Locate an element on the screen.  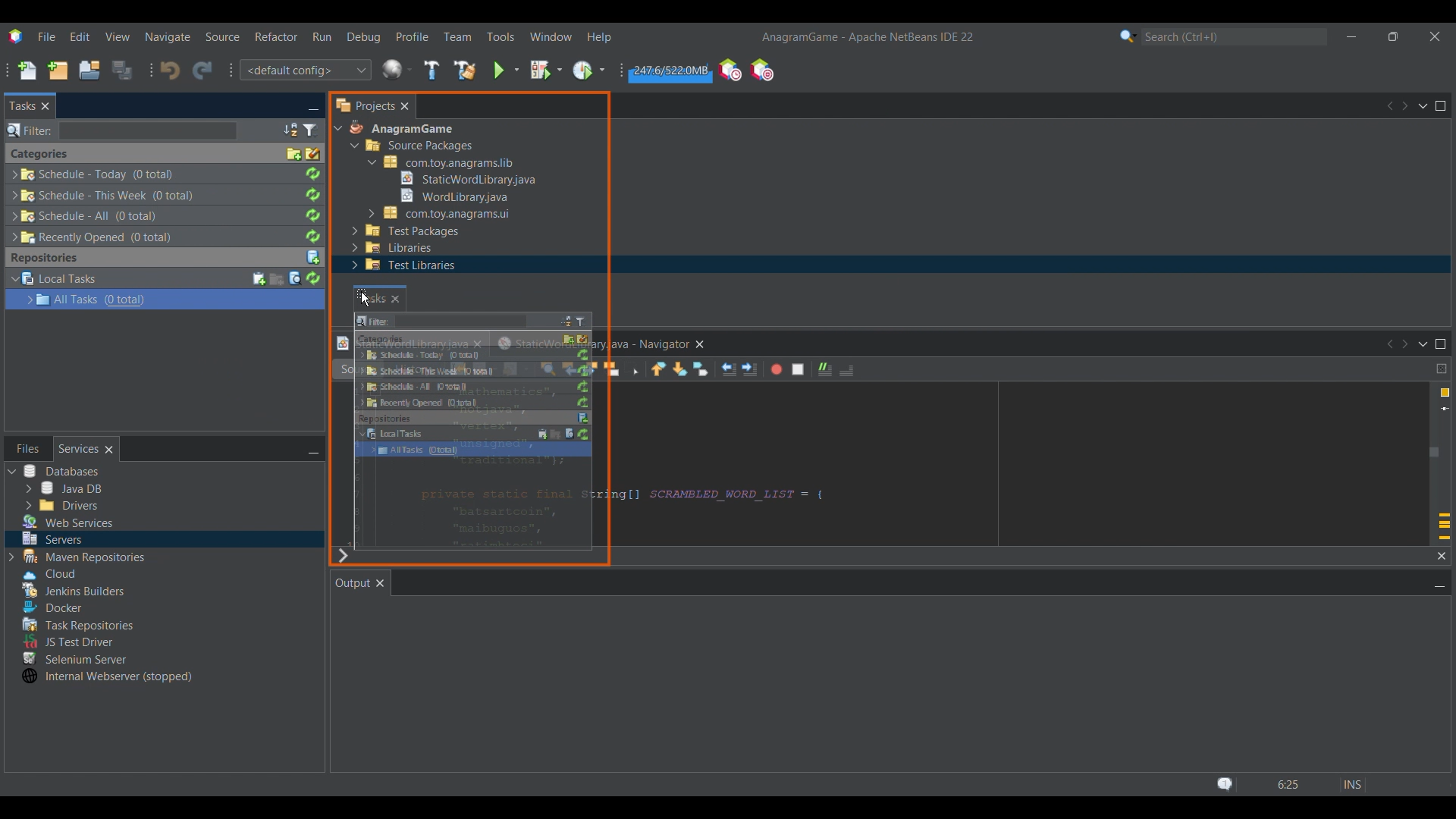
Uncomment is located at coordinates (846, 370).